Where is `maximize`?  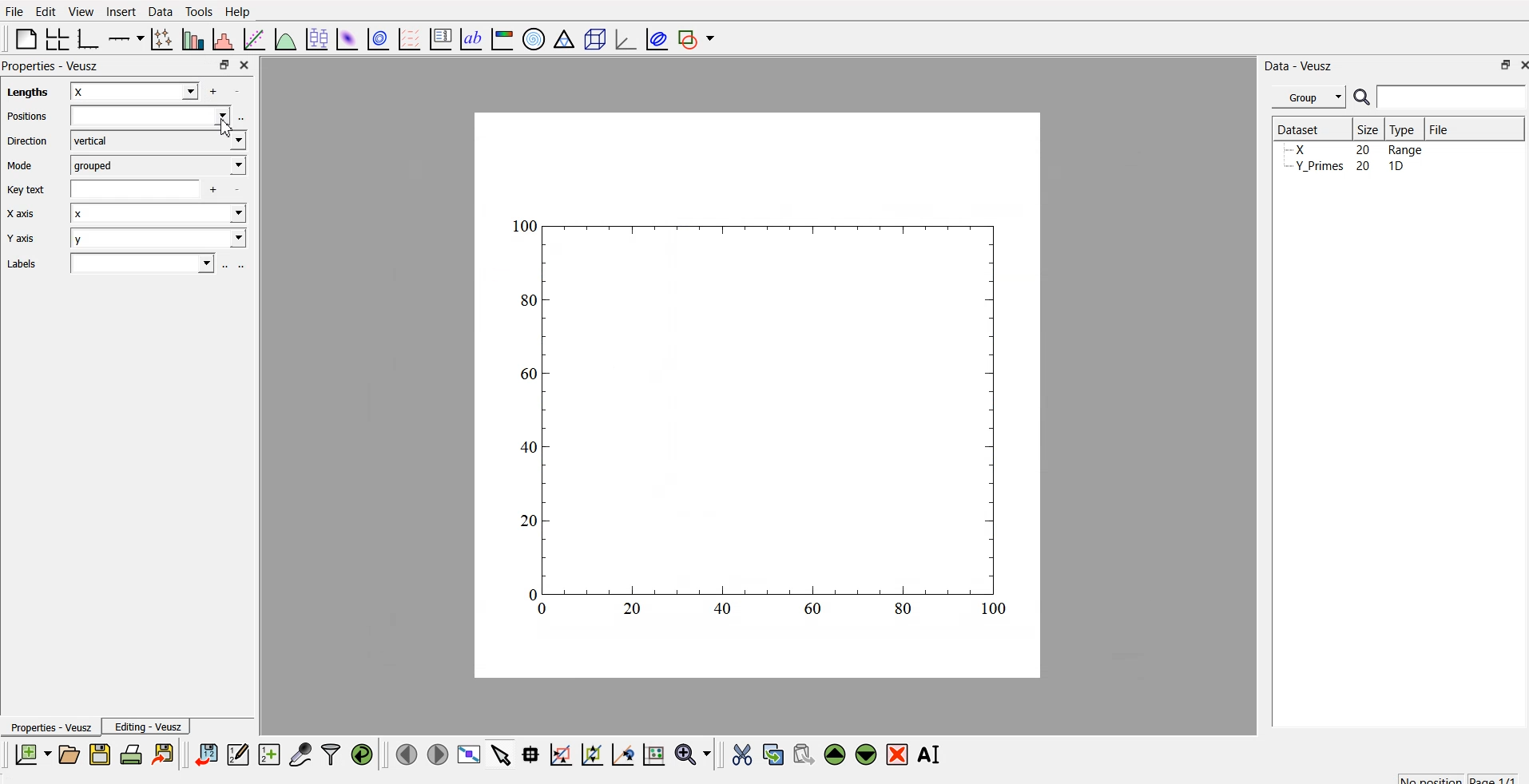
maximize is located at coordinates (1499, 65).